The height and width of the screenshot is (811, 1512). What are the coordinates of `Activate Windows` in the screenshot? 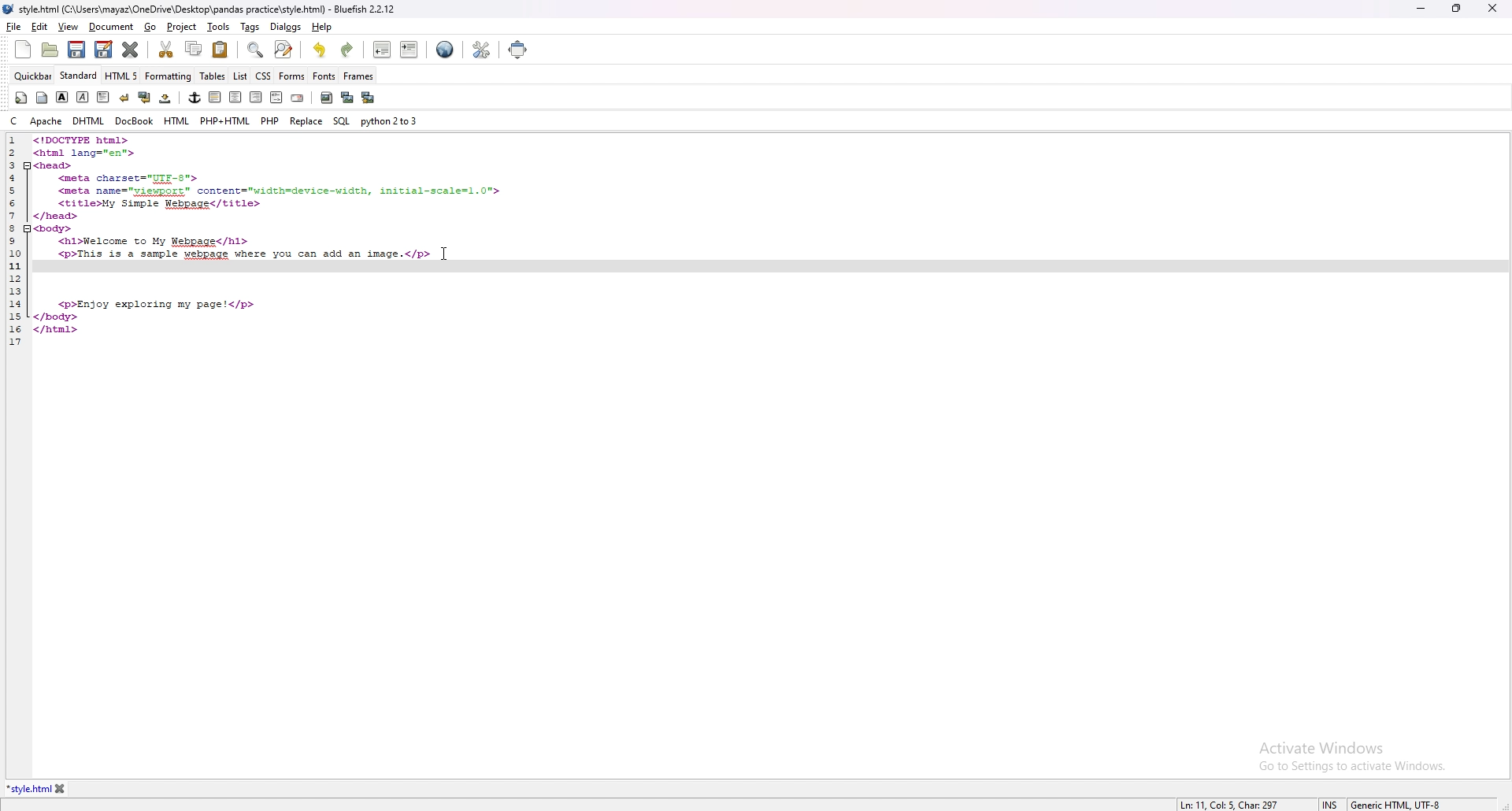 It's located at (1322, 748).